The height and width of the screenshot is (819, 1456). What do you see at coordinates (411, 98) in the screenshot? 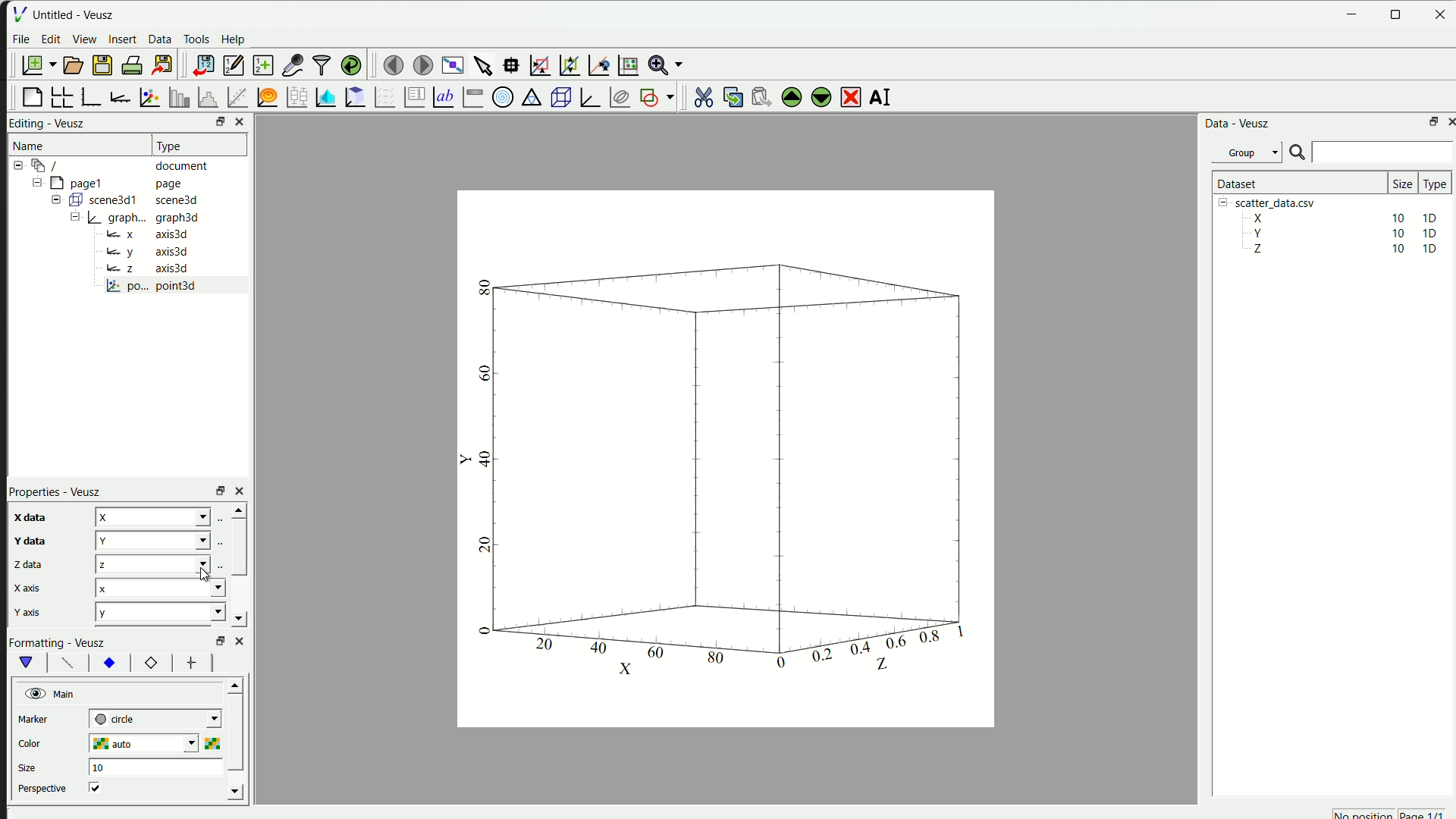
I see `plot key` at bounding box center [411, 98].